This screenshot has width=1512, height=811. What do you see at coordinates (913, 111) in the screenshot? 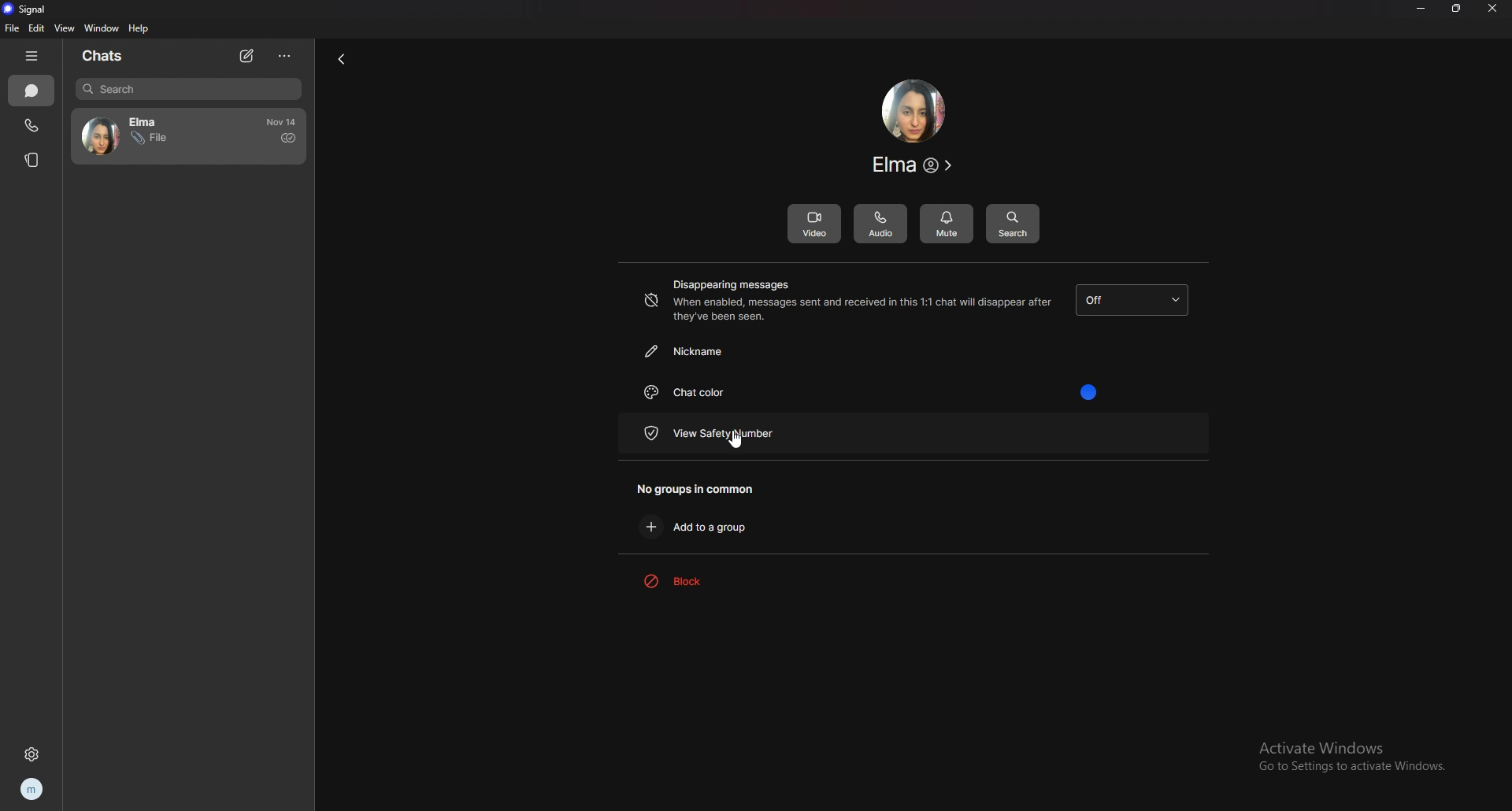
I see `contact photo` at bounding box center [913, 111].